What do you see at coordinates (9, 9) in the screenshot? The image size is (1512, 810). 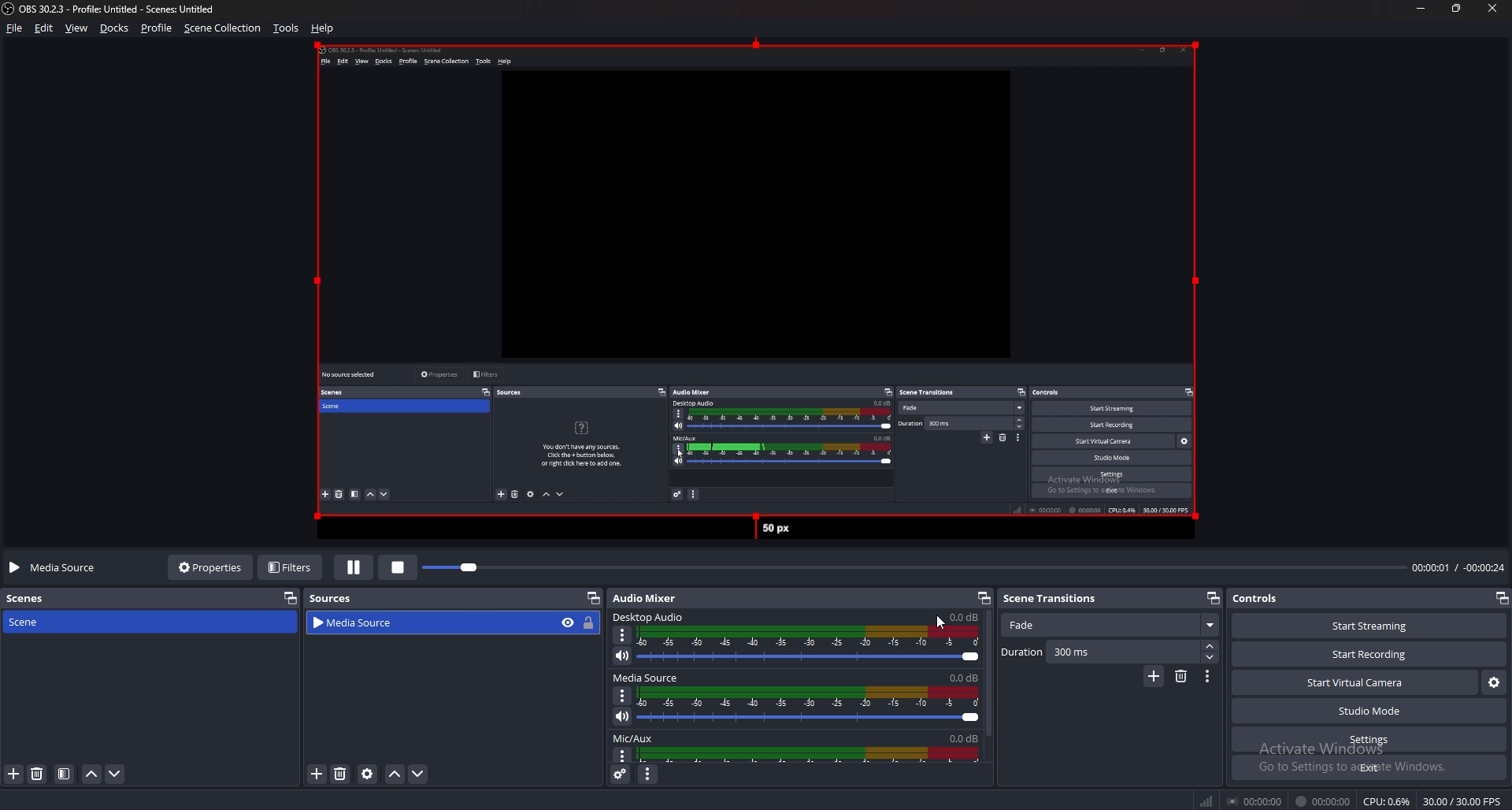 I see `OBS LOGO` at bounding box center [9, 9].